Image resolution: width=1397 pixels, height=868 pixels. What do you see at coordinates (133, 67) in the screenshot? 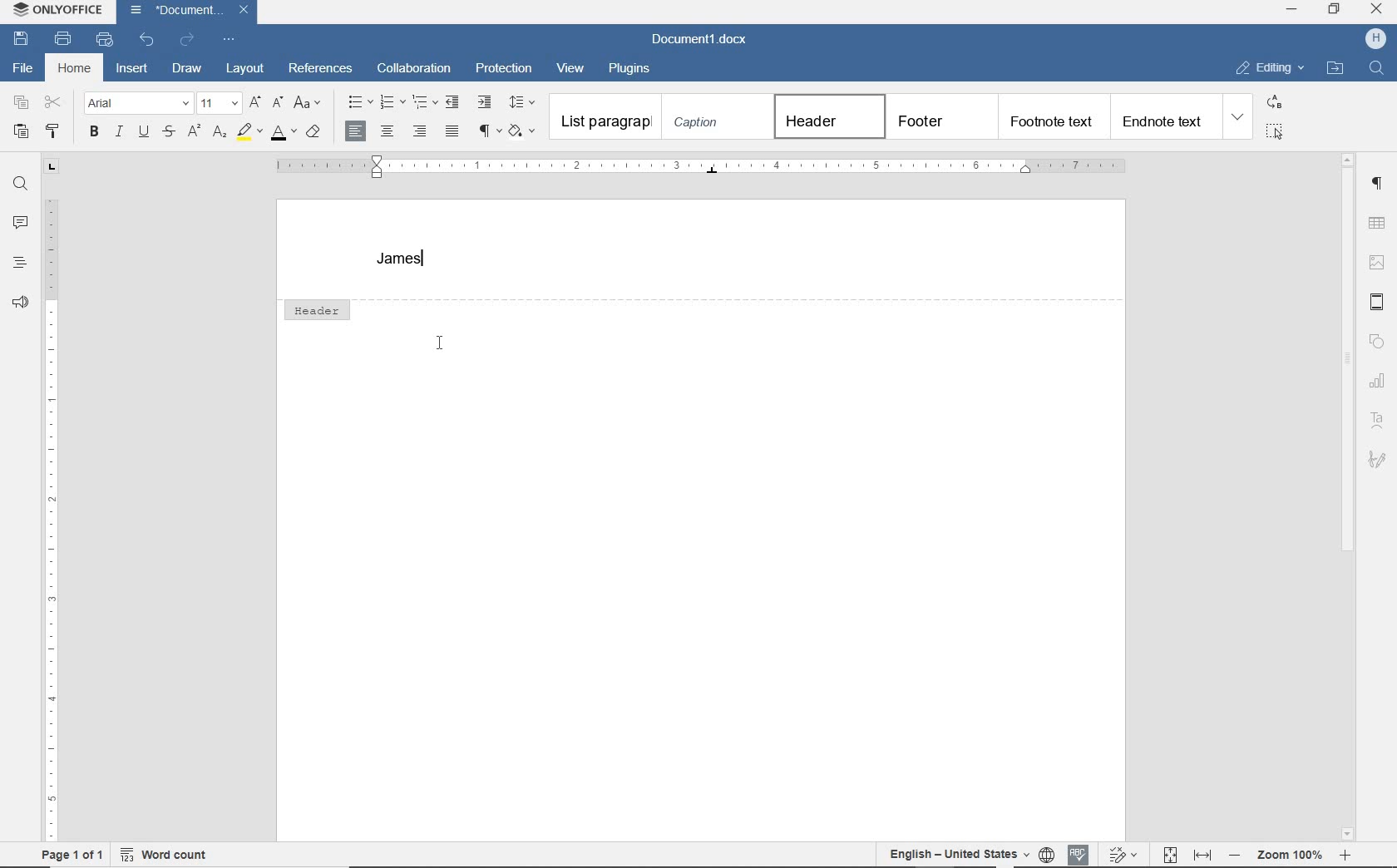
I see `insert` at bounding box center [133, 67].